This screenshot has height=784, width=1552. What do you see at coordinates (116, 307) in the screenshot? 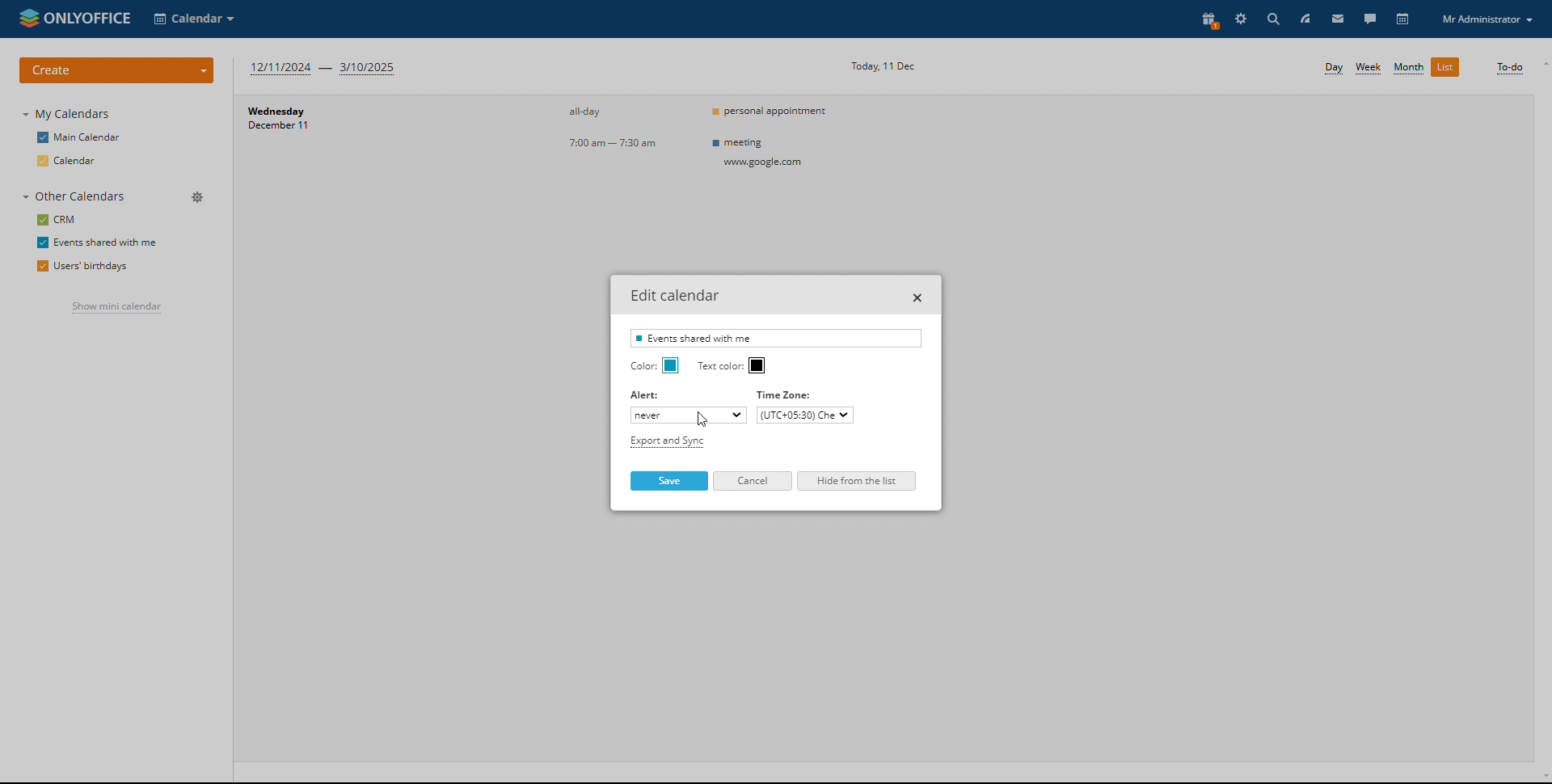
I see `show mini calendar` at bounding box center [116, 307].